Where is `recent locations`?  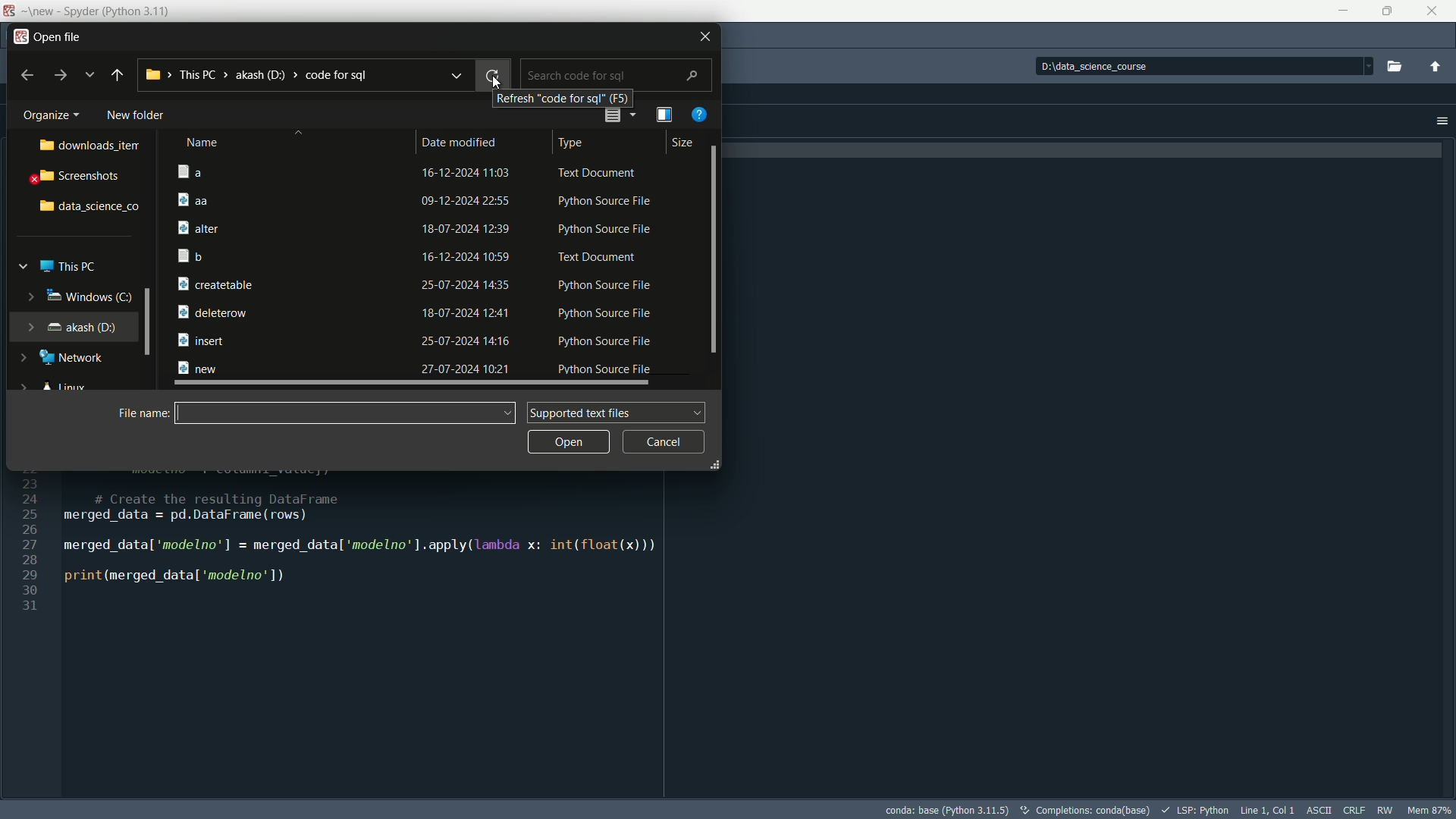 recent locations is located at coordinates (456, 72).